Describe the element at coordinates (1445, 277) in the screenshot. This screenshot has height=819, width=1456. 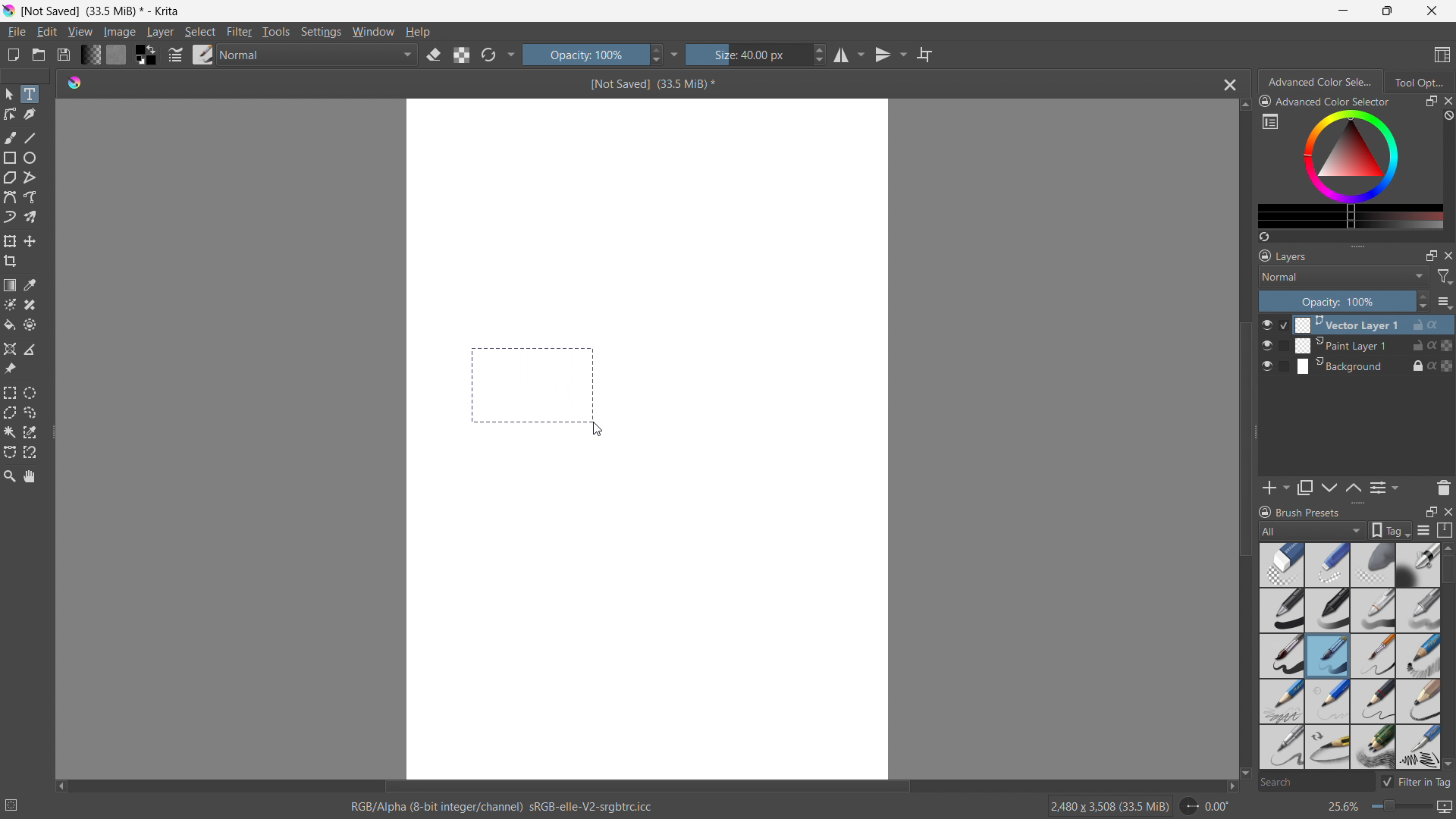
I see `filter` at that location.